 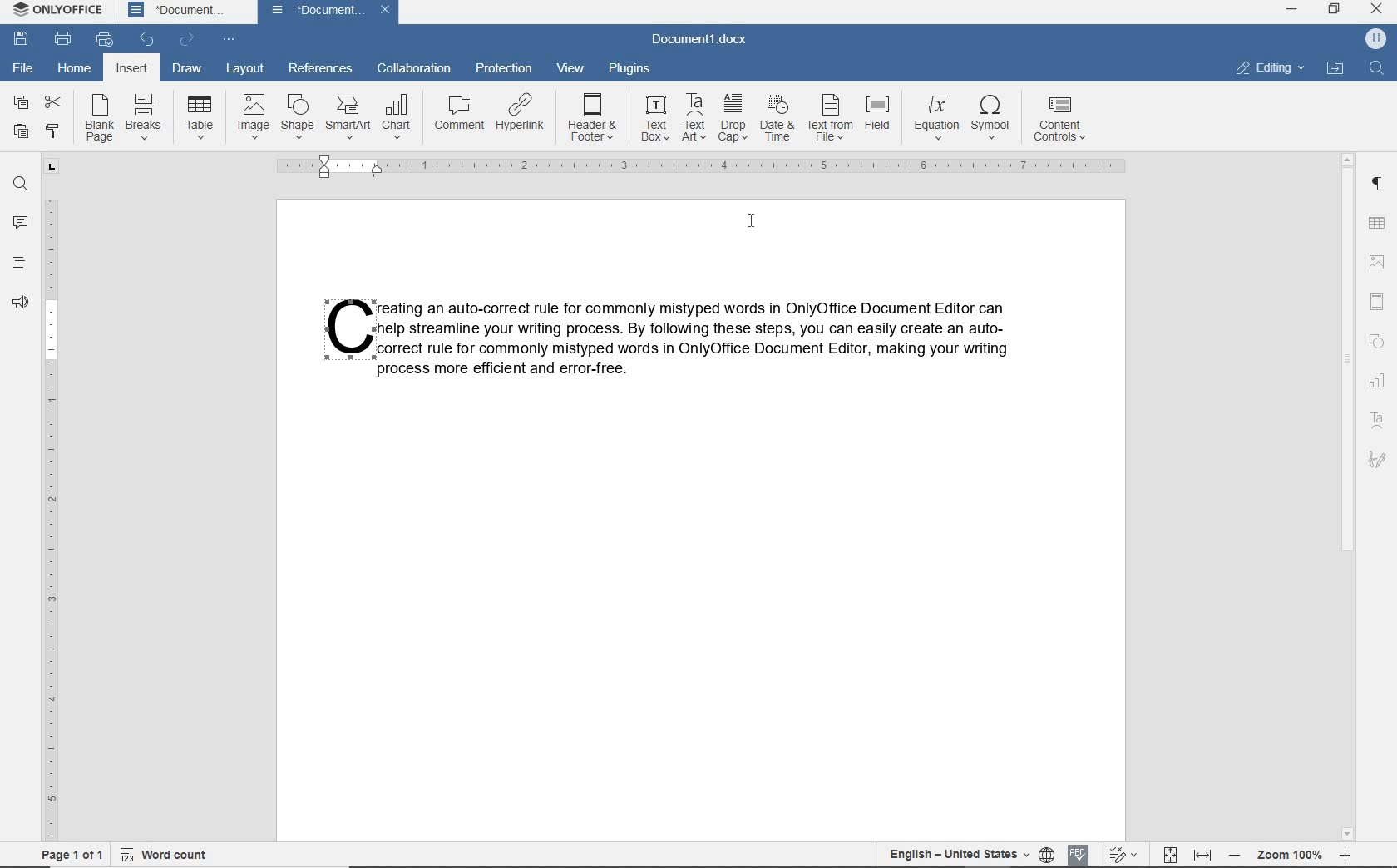 What do you see at coordinates (503, 69) in the screenshot?
I see `protection` at bounding box center [503, 69].